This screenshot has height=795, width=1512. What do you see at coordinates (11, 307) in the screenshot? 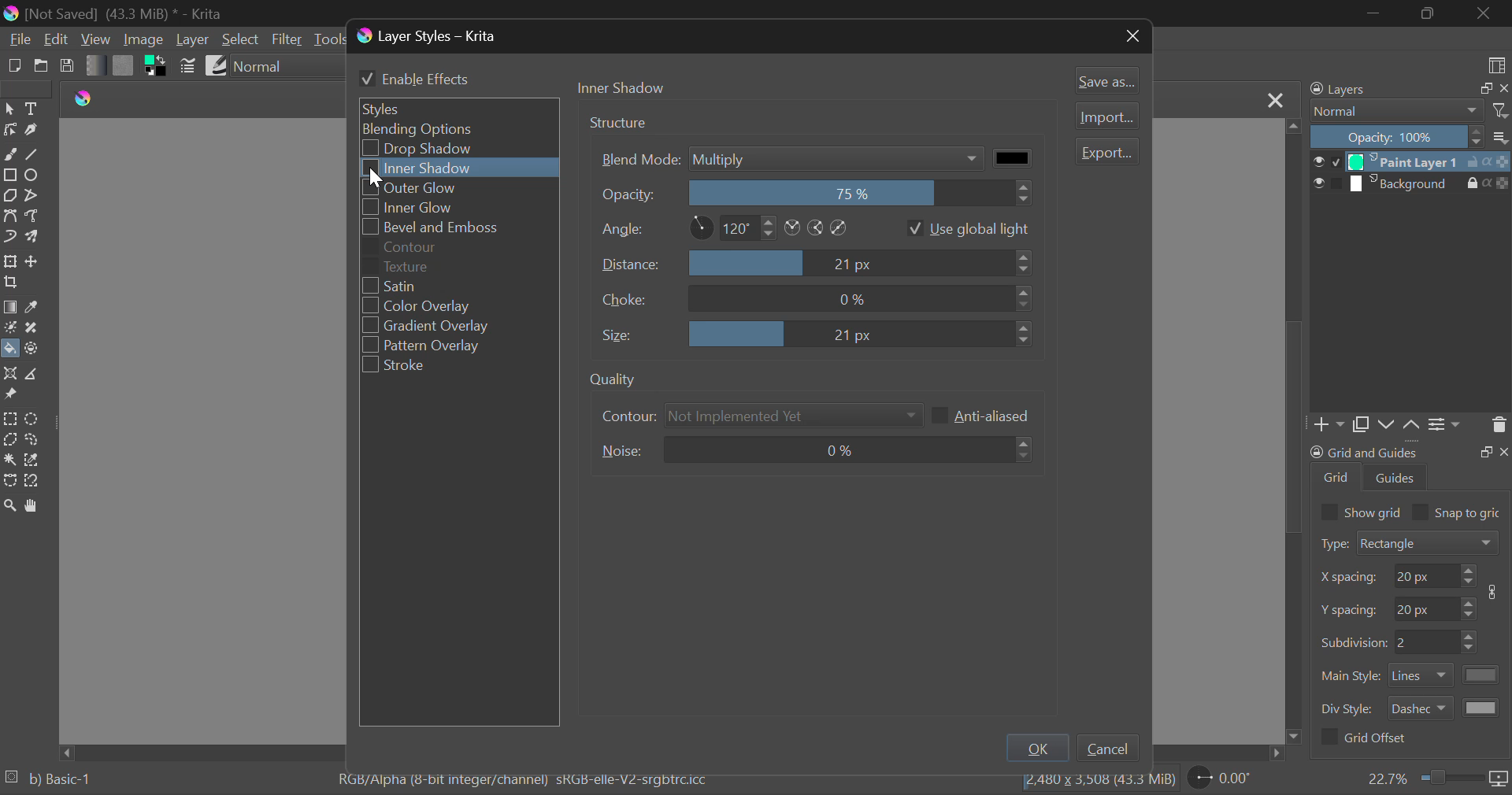
I see `Gradient Fill` at bounding box center [11, 307].